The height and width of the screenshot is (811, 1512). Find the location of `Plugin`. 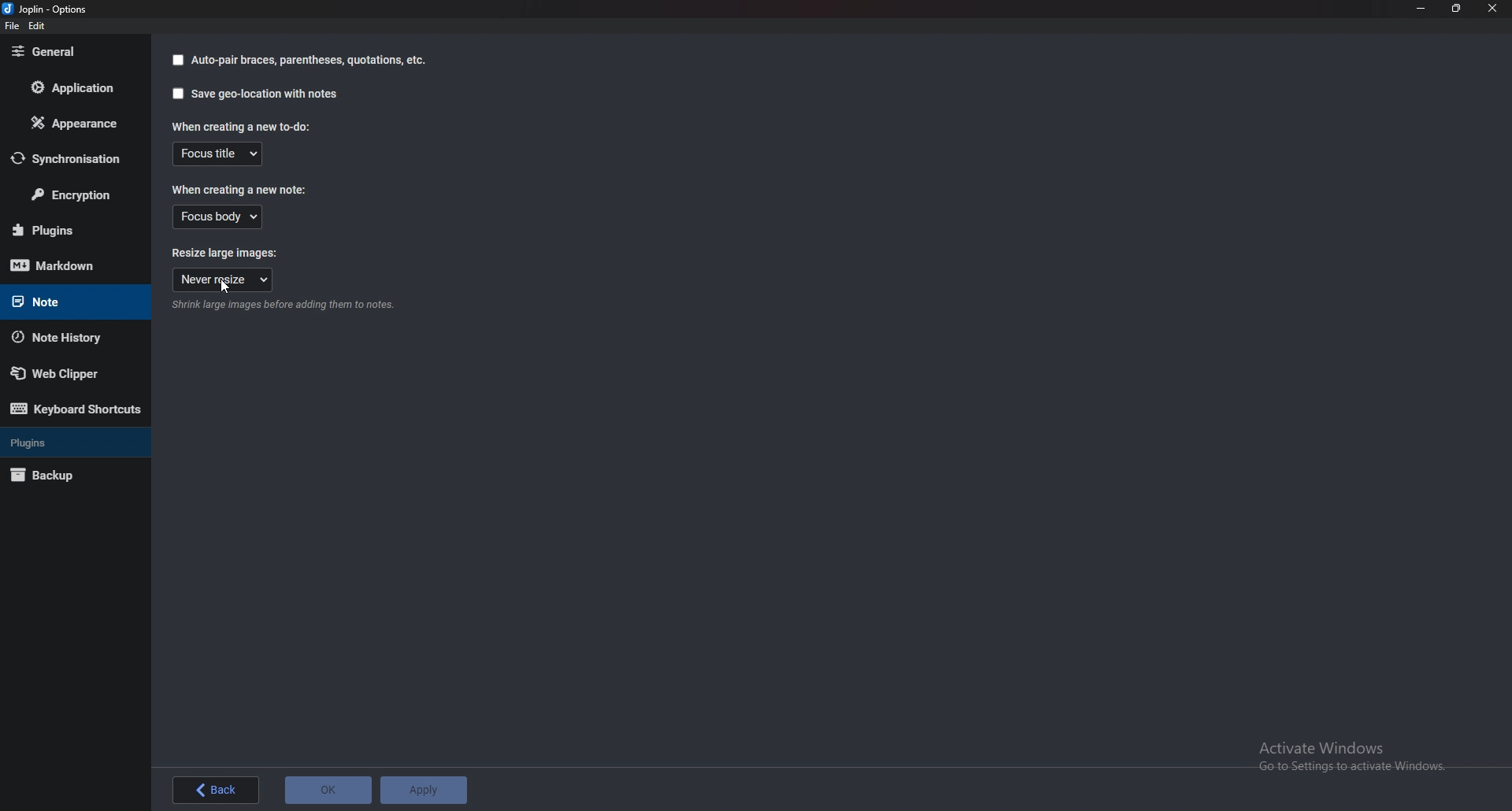

Plugin is located at coordinates (70, 231).